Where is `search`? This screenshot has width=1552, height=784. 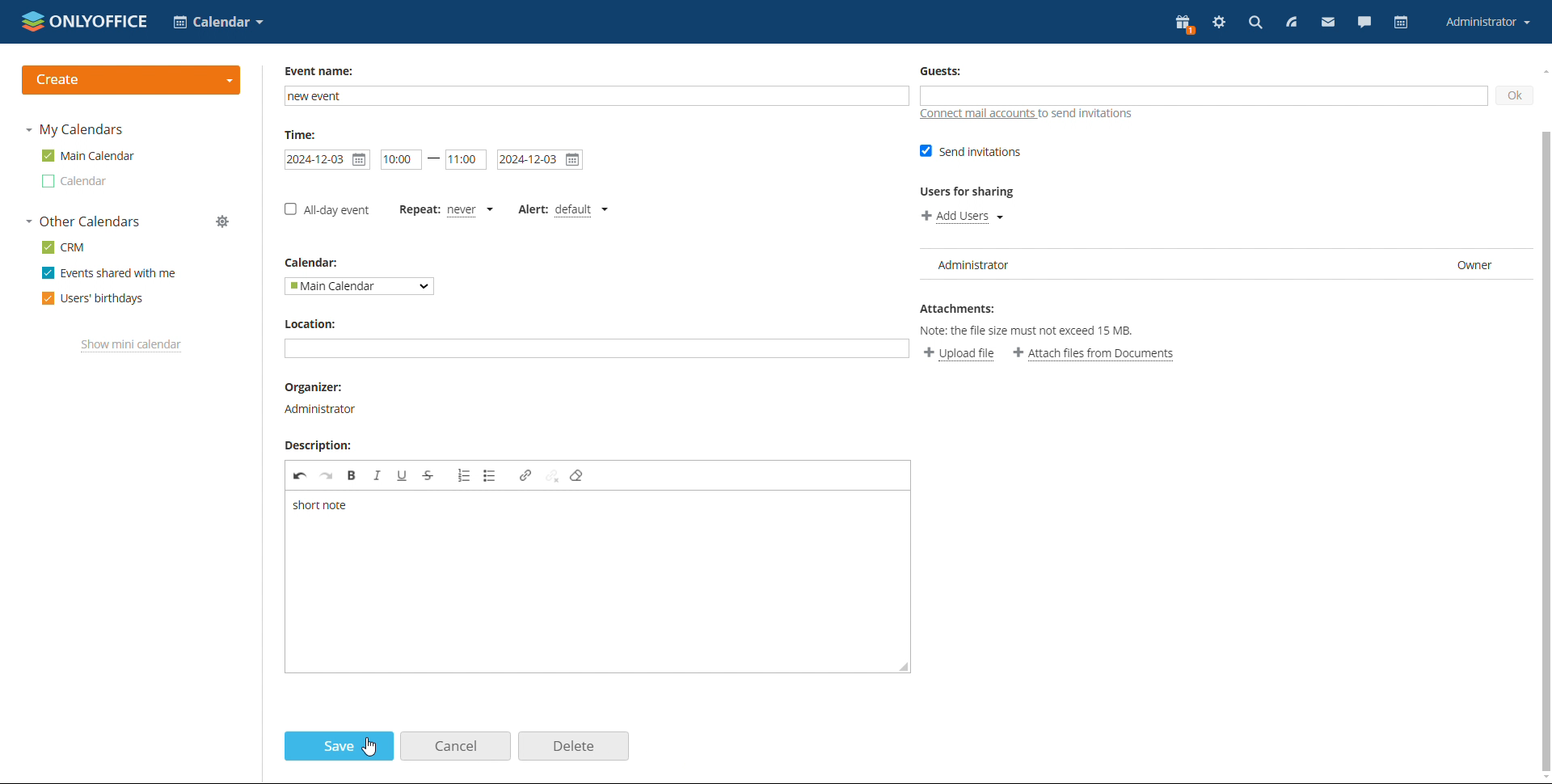
search is located at coordinates (1255, 23).